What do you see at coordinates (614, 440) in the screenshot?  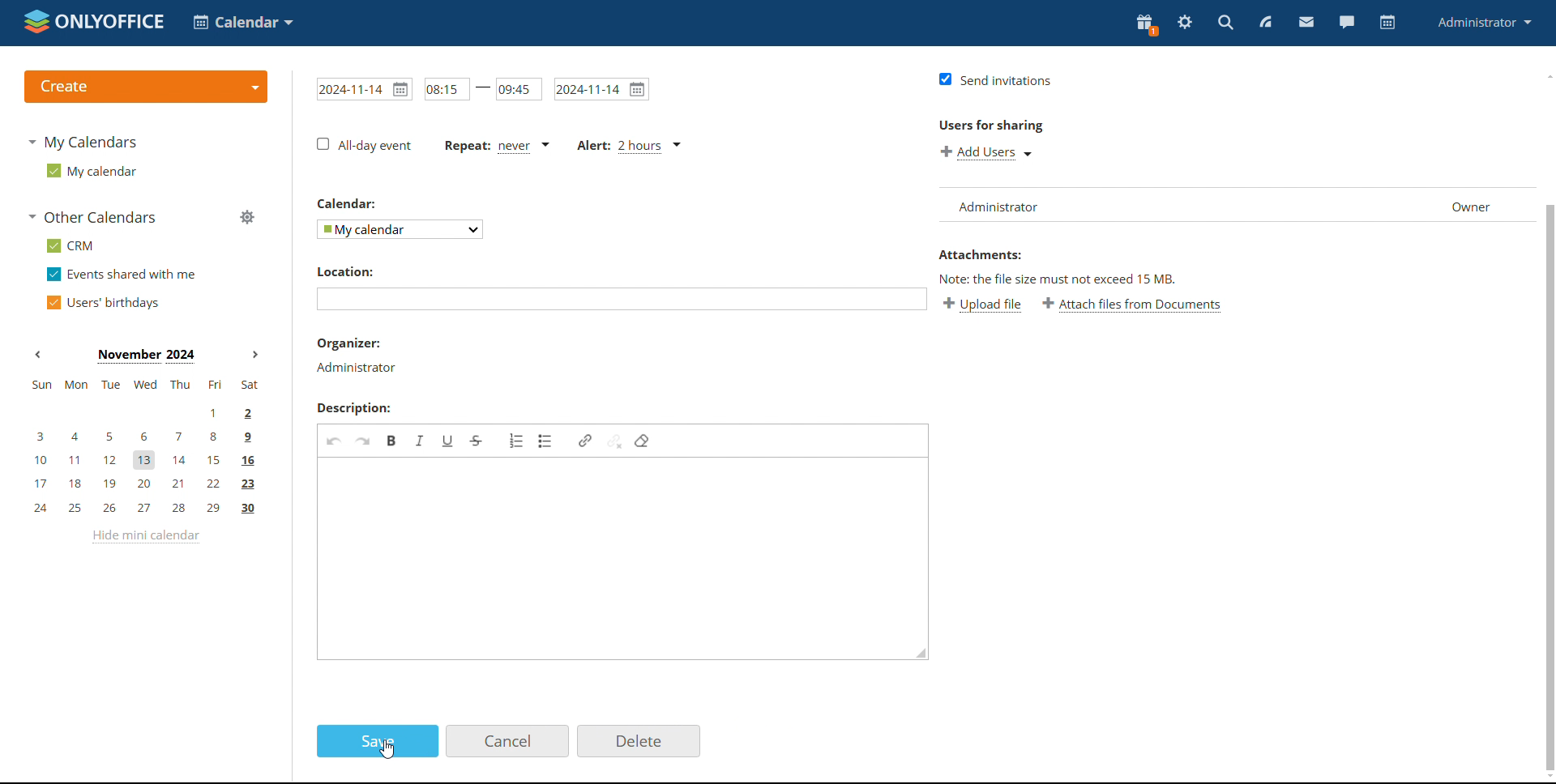 I see `unlink` at bounding box center [614, 440].